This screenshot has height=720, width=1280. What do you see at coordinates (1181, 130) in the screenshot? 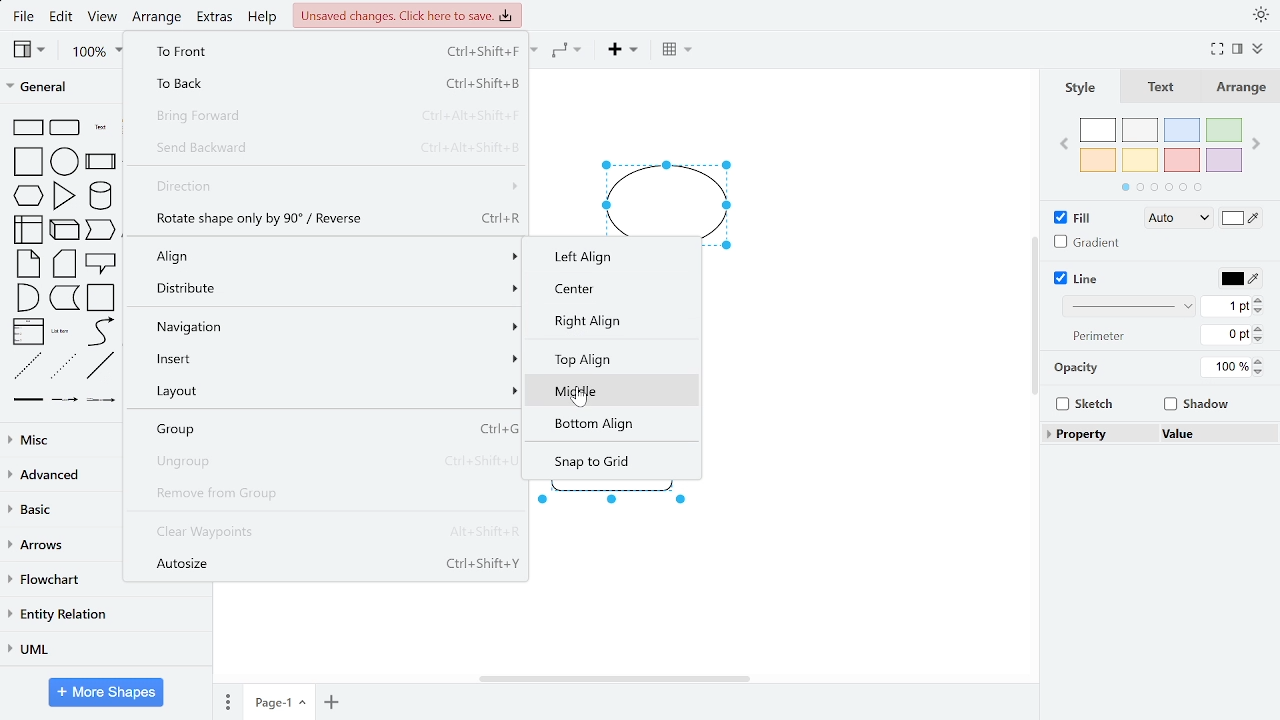
I see `blue` at bounding box center [1181, 130].